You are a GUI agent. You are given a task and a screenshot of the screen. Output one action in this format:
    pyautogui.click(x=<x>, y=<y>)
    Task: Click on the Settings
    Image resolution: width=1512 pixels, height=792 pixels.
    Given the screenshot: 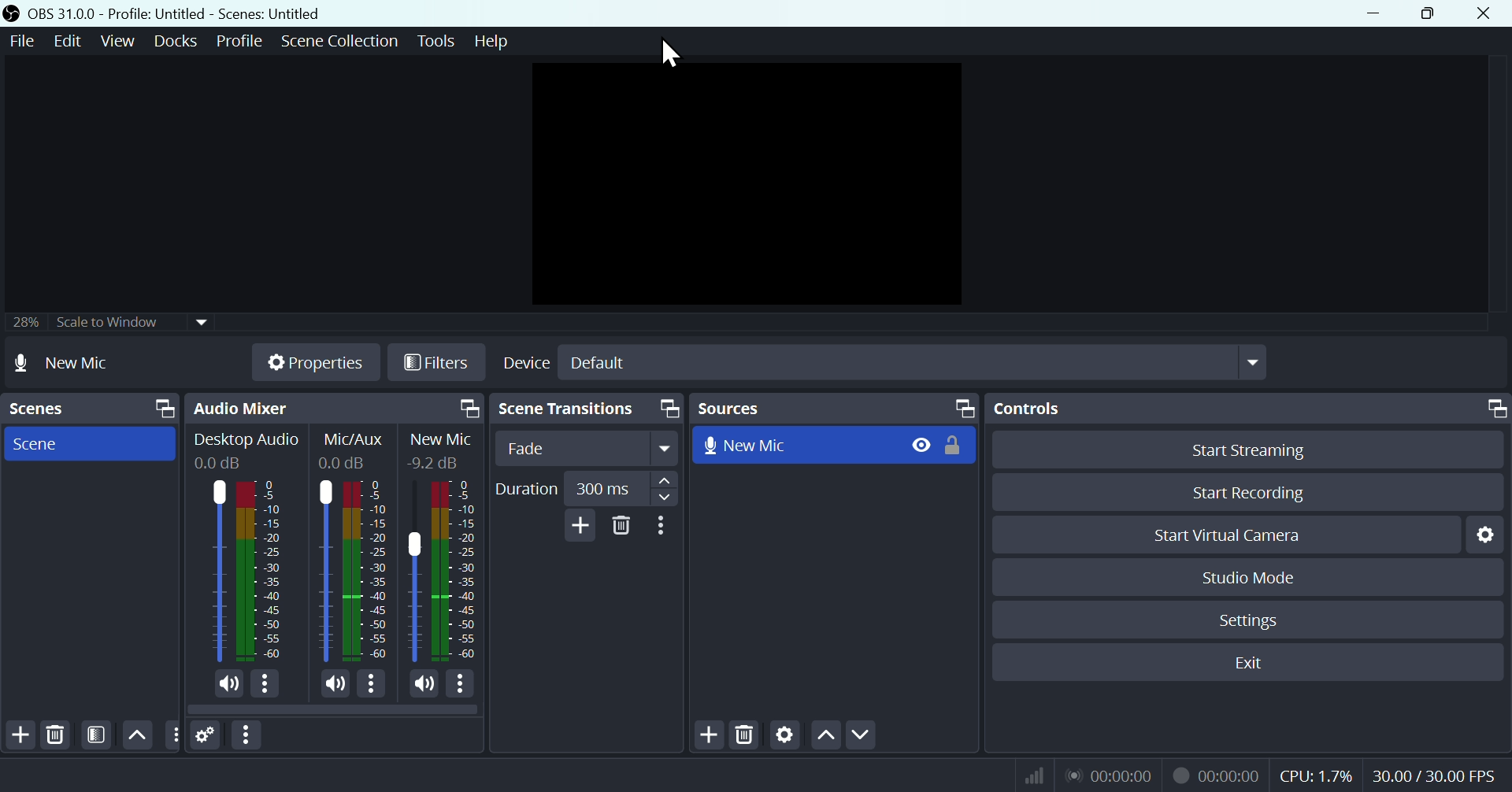 What is the action you would take?
    pyautogui.click(x=1490, y=534)
    